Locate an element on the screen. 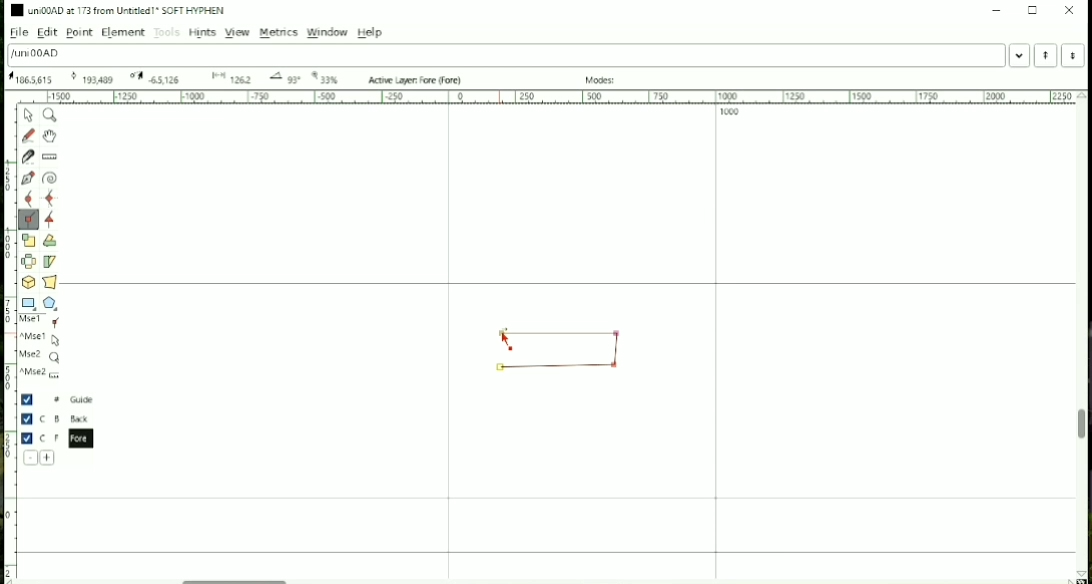 The width and height of the screenshot is (1092, 584). Polygon or star is located at coordinates (52, 303).